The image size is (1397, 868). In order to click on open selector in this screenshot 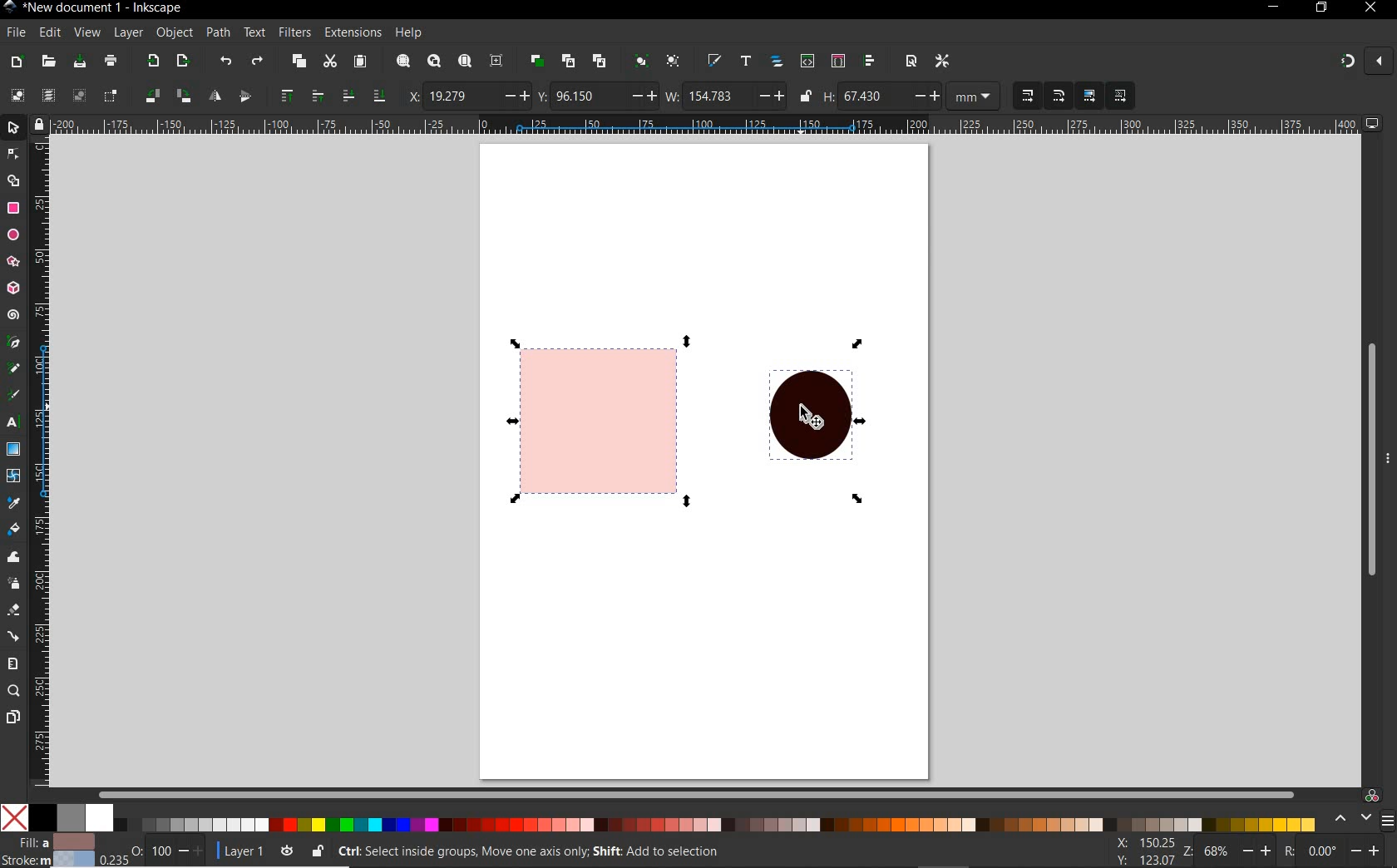, I will do `click(837, 61)`.